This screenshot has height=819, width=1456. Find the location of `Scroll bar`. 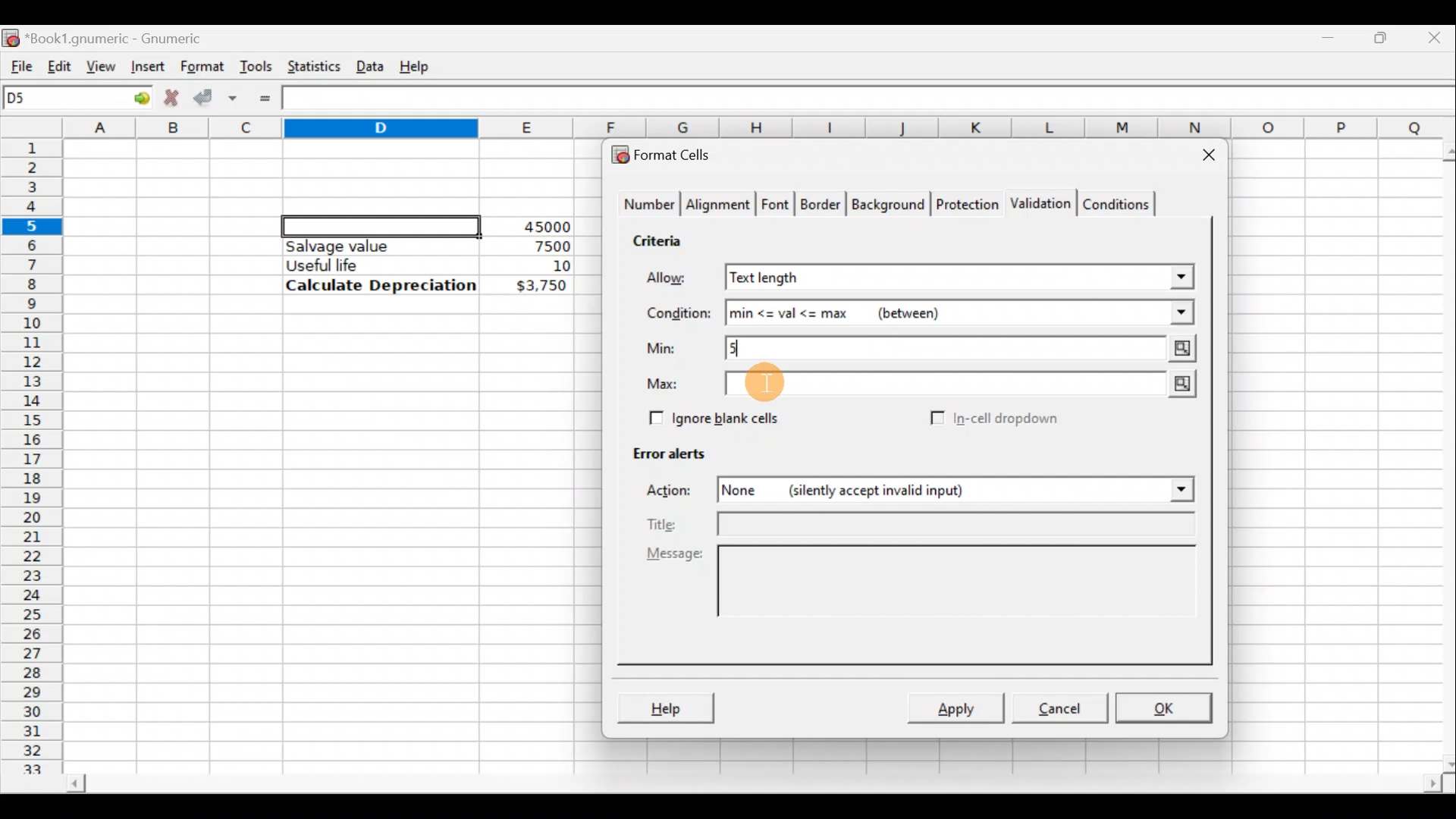

Scroll bar is located at coordinates (752, 786).